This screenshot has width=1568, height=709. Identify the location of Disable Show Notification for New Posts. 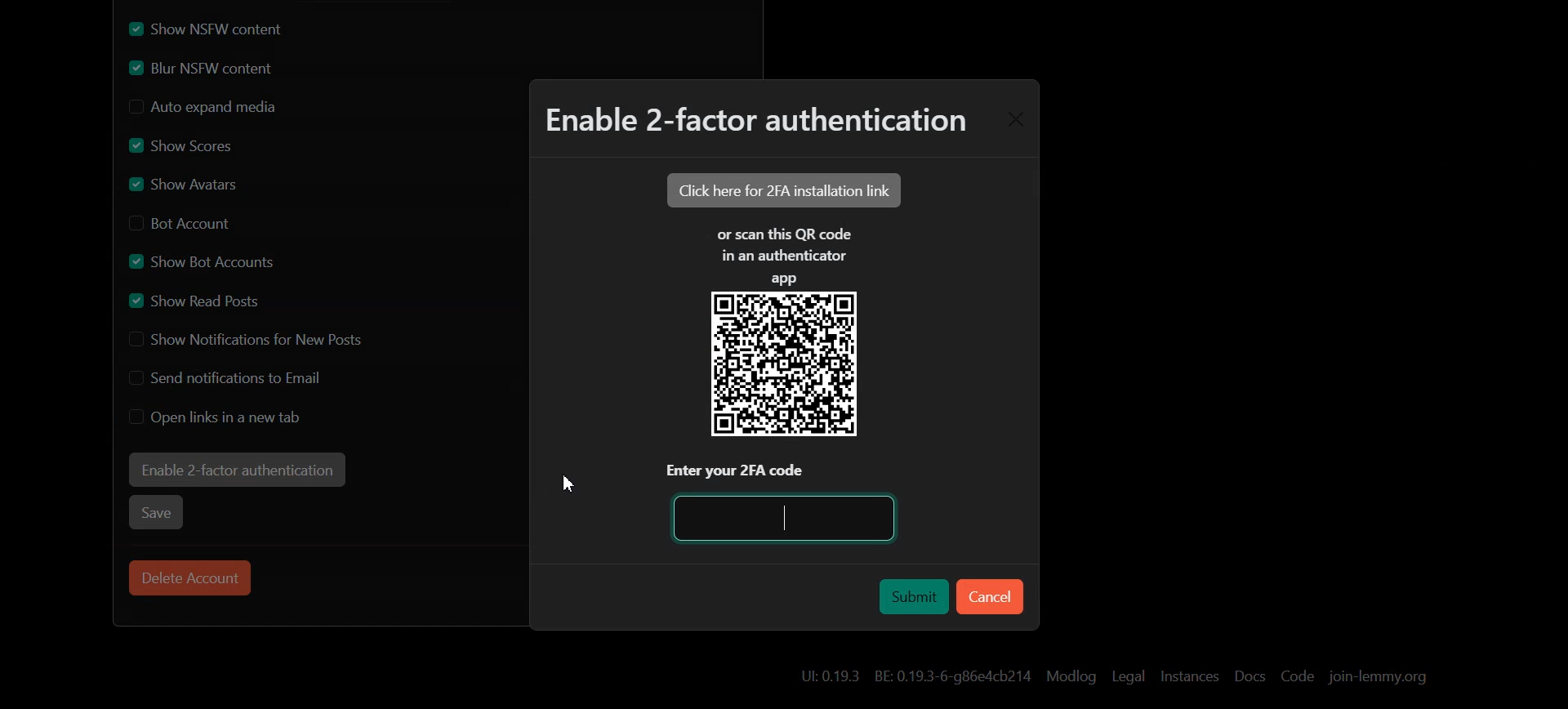
(247, 340).